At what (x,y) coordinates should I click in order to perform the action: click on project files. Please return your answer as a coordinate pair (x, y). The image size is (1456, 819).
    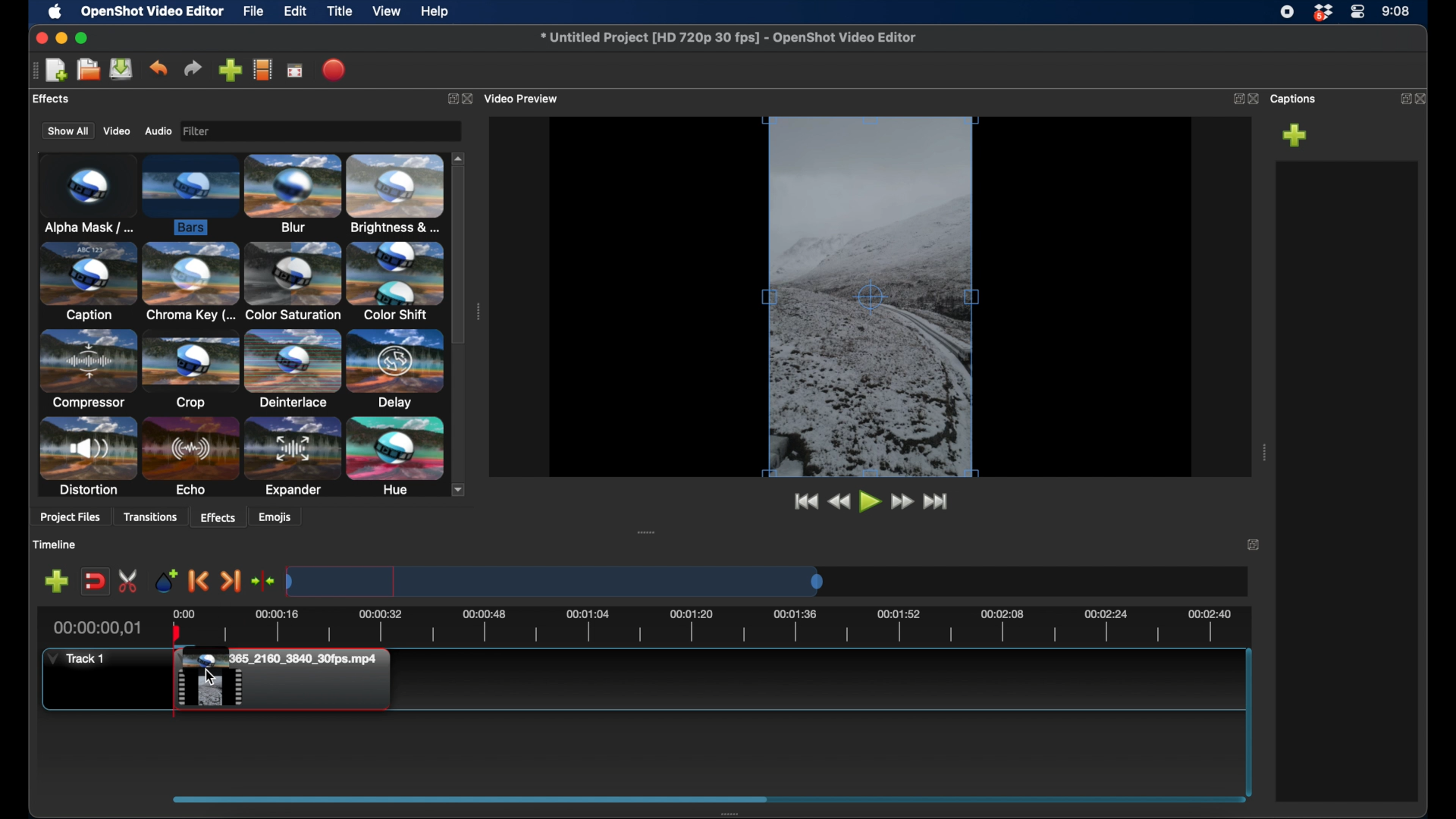
    Looking at the image, I should click on (72, 519).